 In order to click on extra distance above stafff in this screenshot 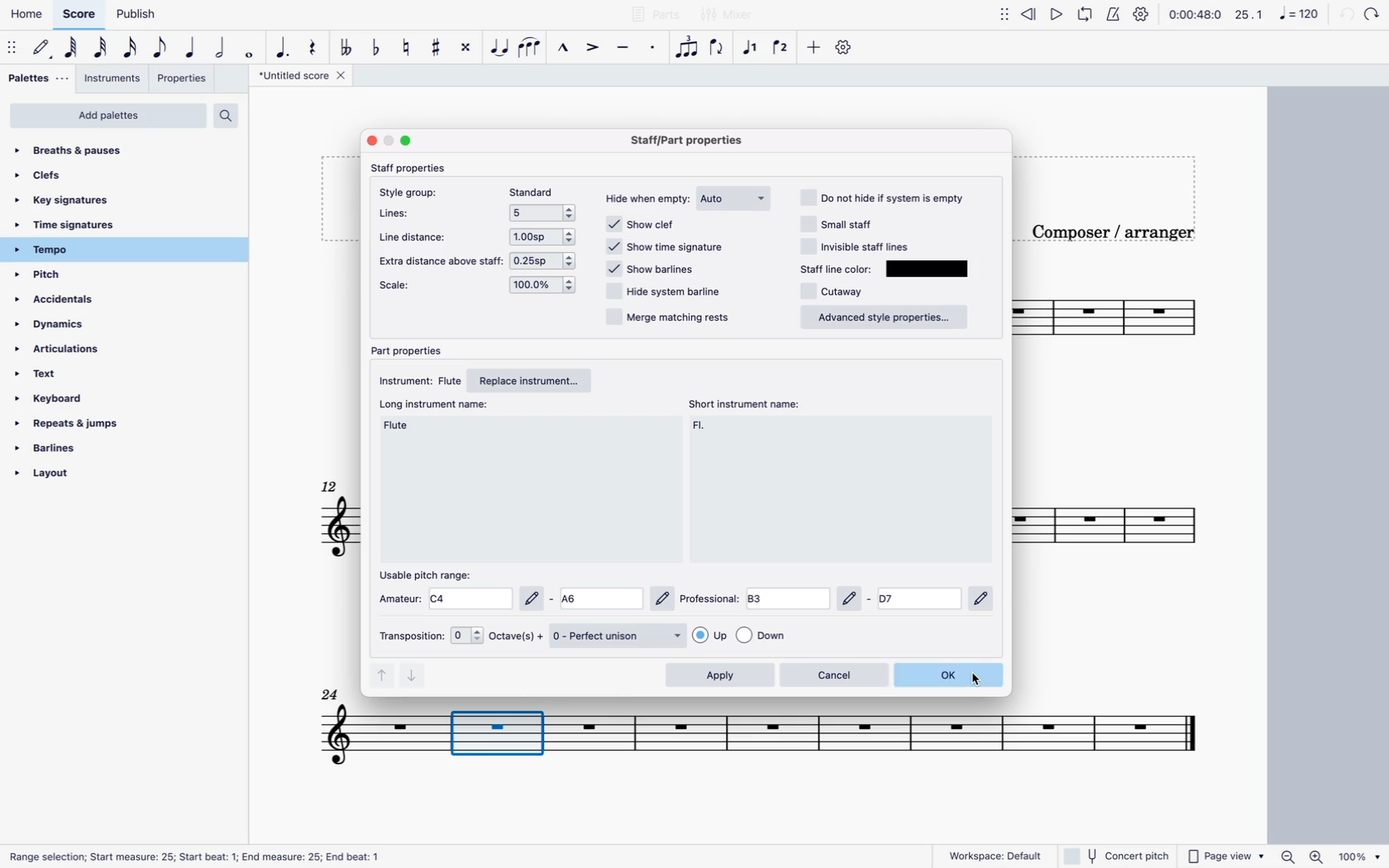, I will do `click(438, 260)`.